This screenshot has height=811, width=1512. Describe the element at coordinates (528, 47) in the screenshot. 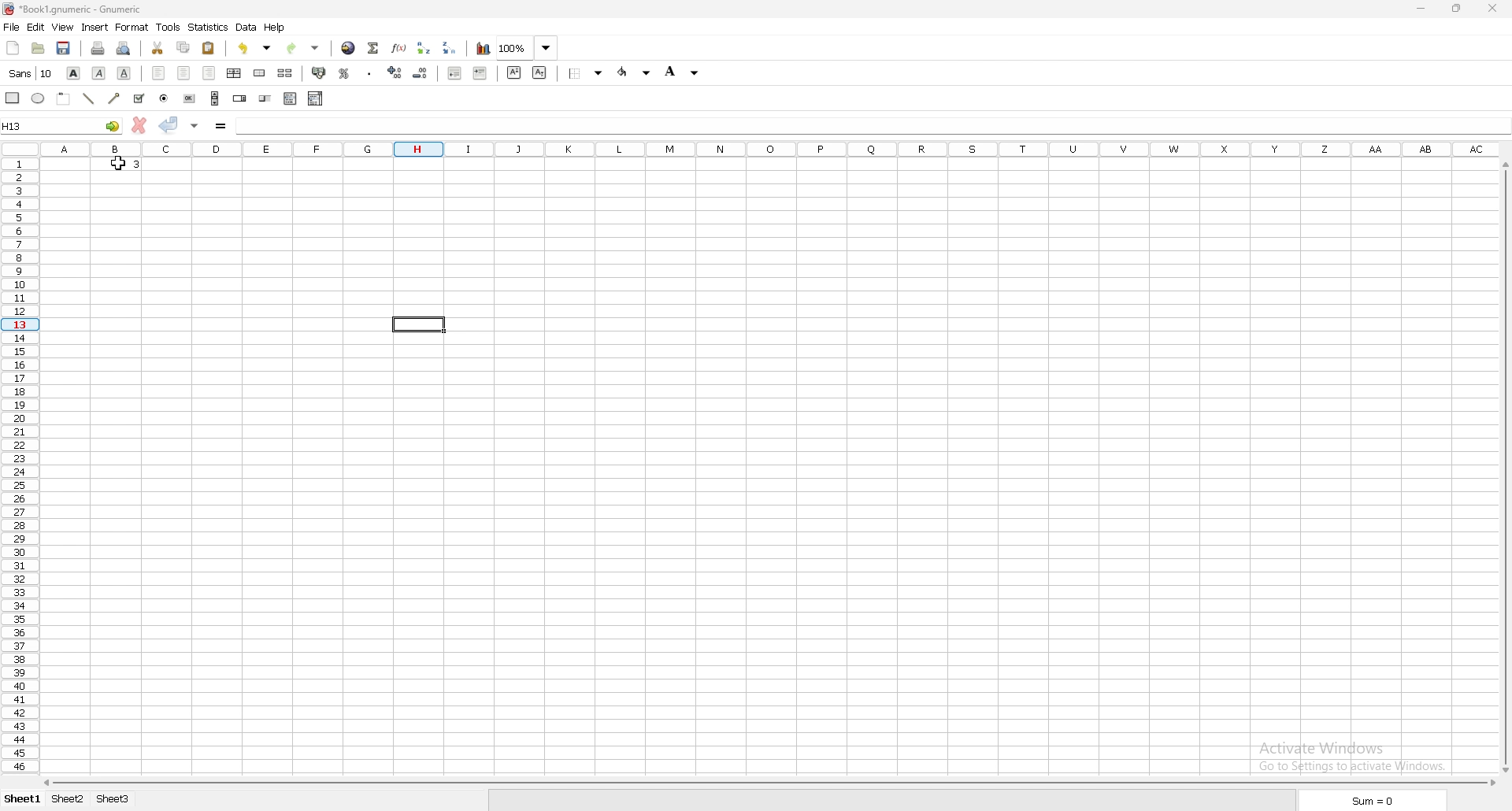

I see `100%` at that location.